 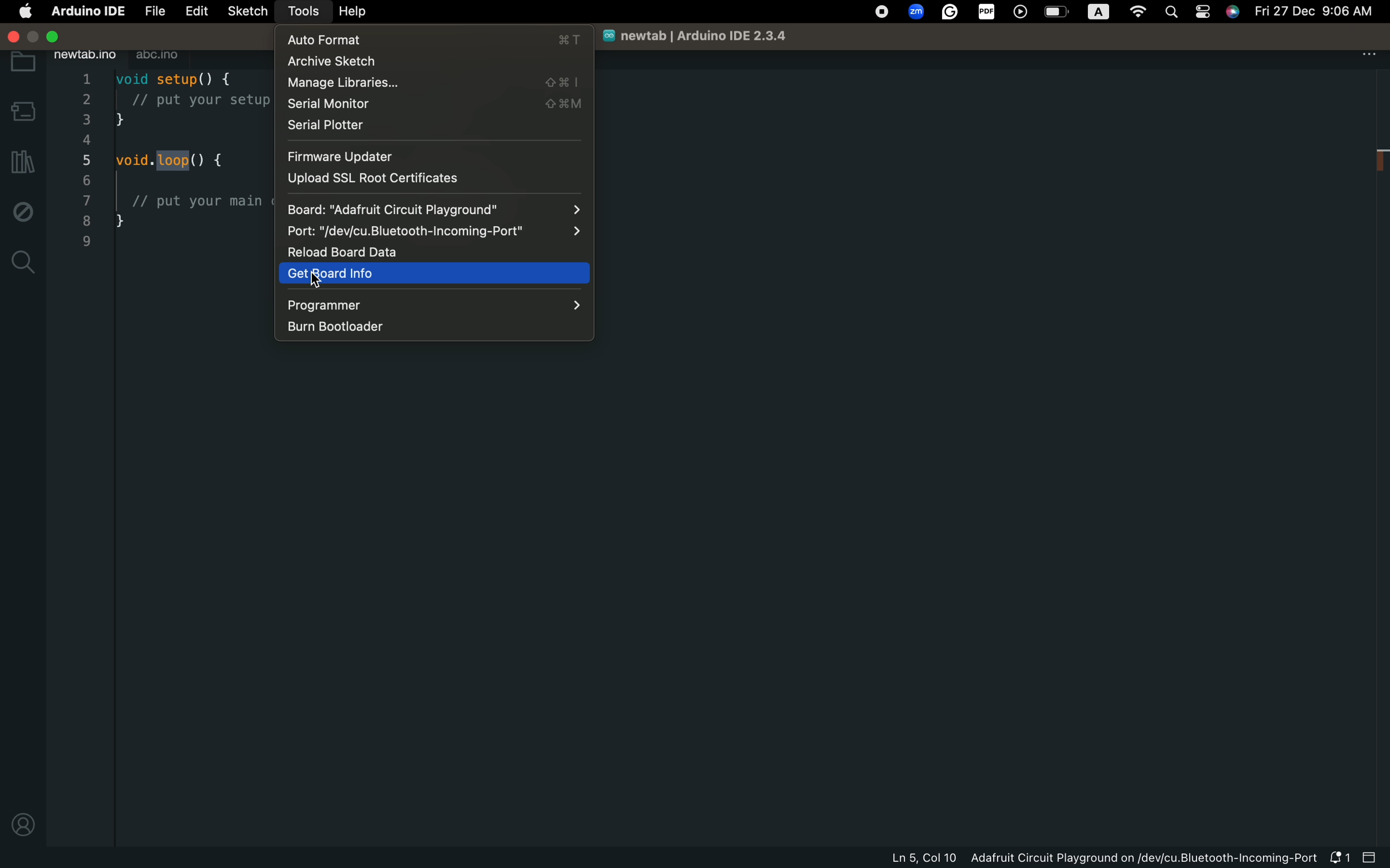 I want to click on reload board data, so click(x=358, y=251).